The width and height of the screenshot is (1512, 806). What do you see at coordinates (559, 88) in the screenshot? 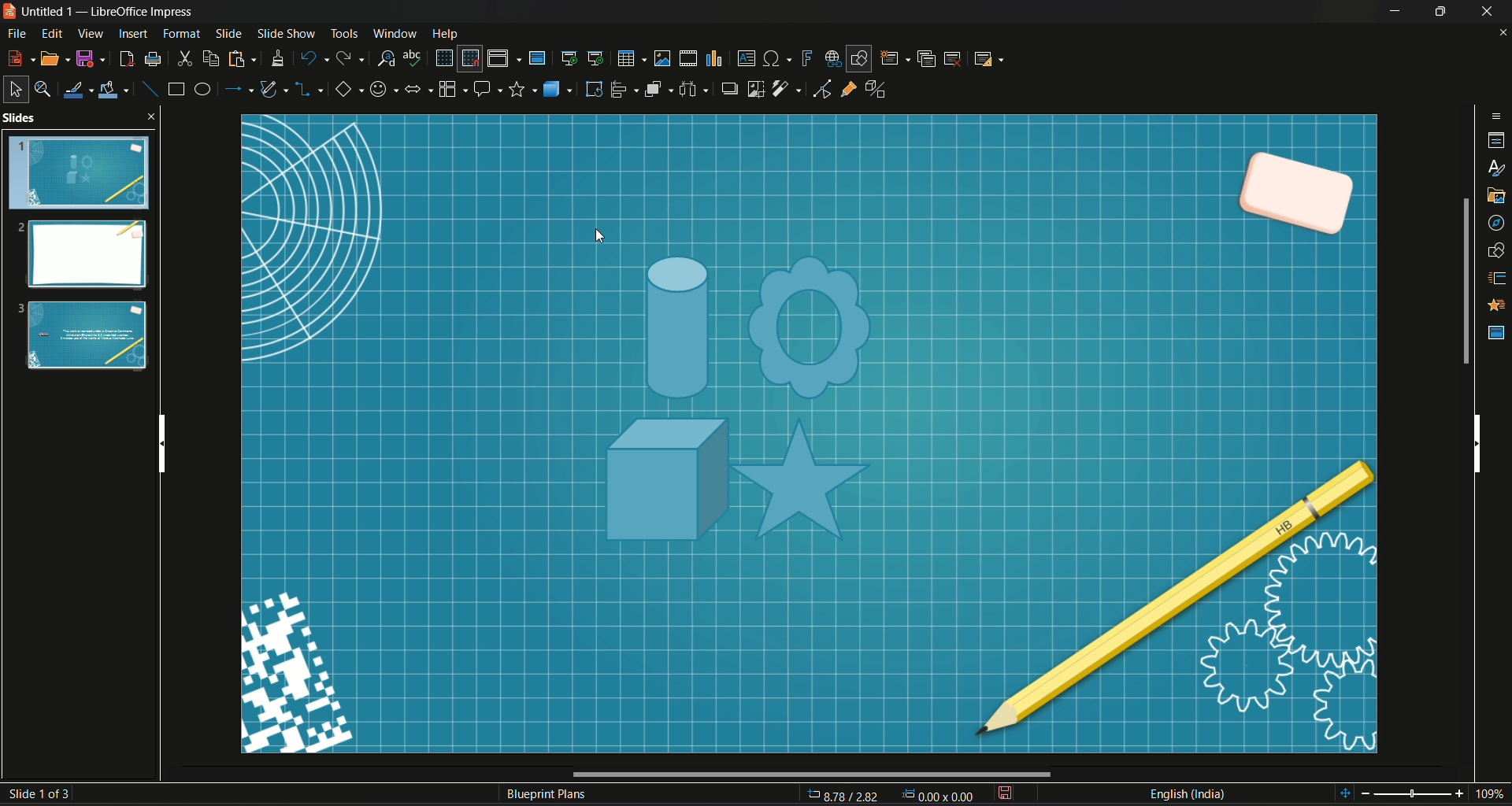
I see `3D objects` at bounding box center [559, 88].